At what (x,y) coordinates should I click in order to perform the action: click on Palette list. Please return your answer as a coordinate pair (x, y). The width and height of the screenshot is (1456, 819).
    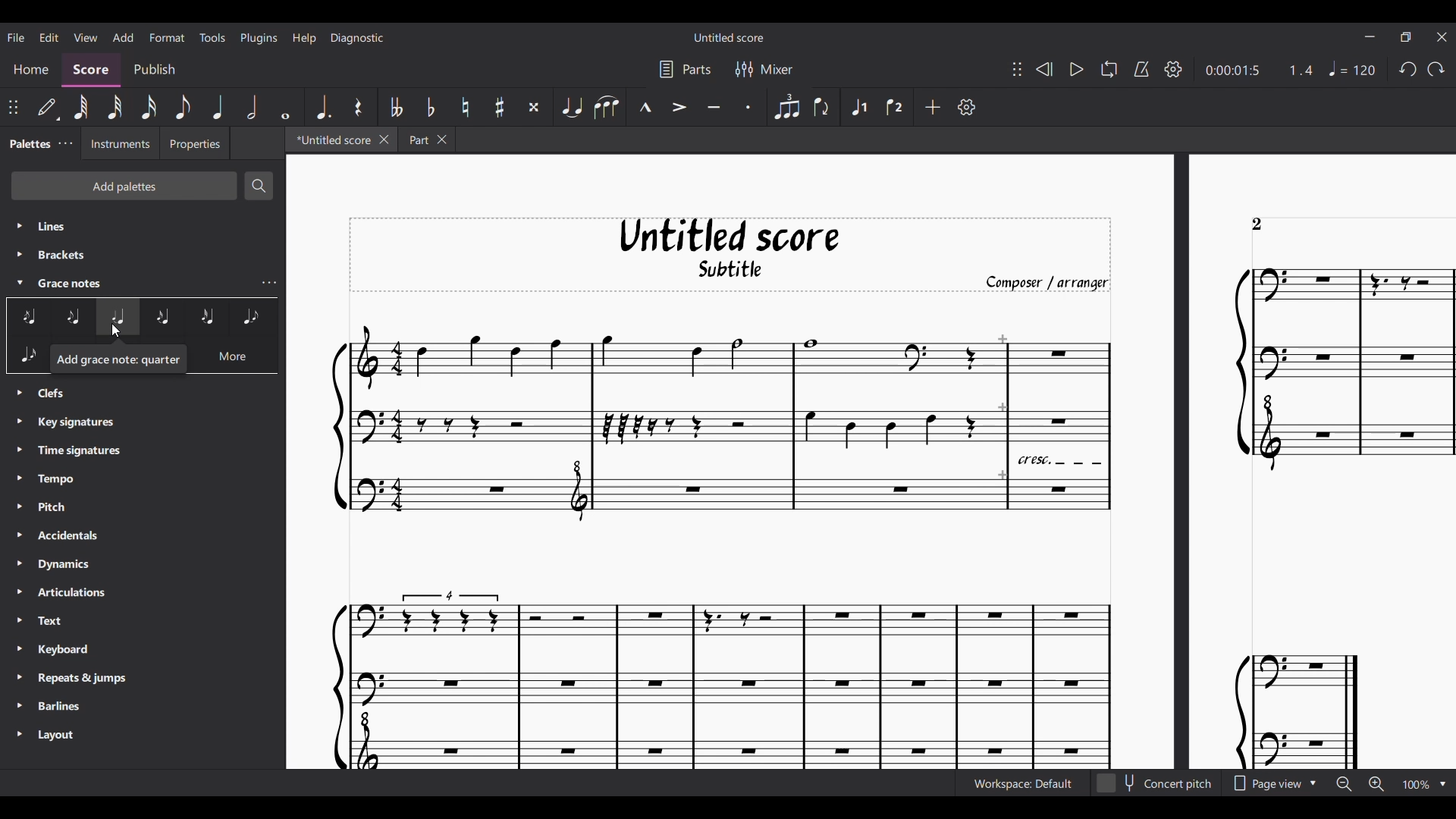
    Looking at the image, I should click on (144, 253).